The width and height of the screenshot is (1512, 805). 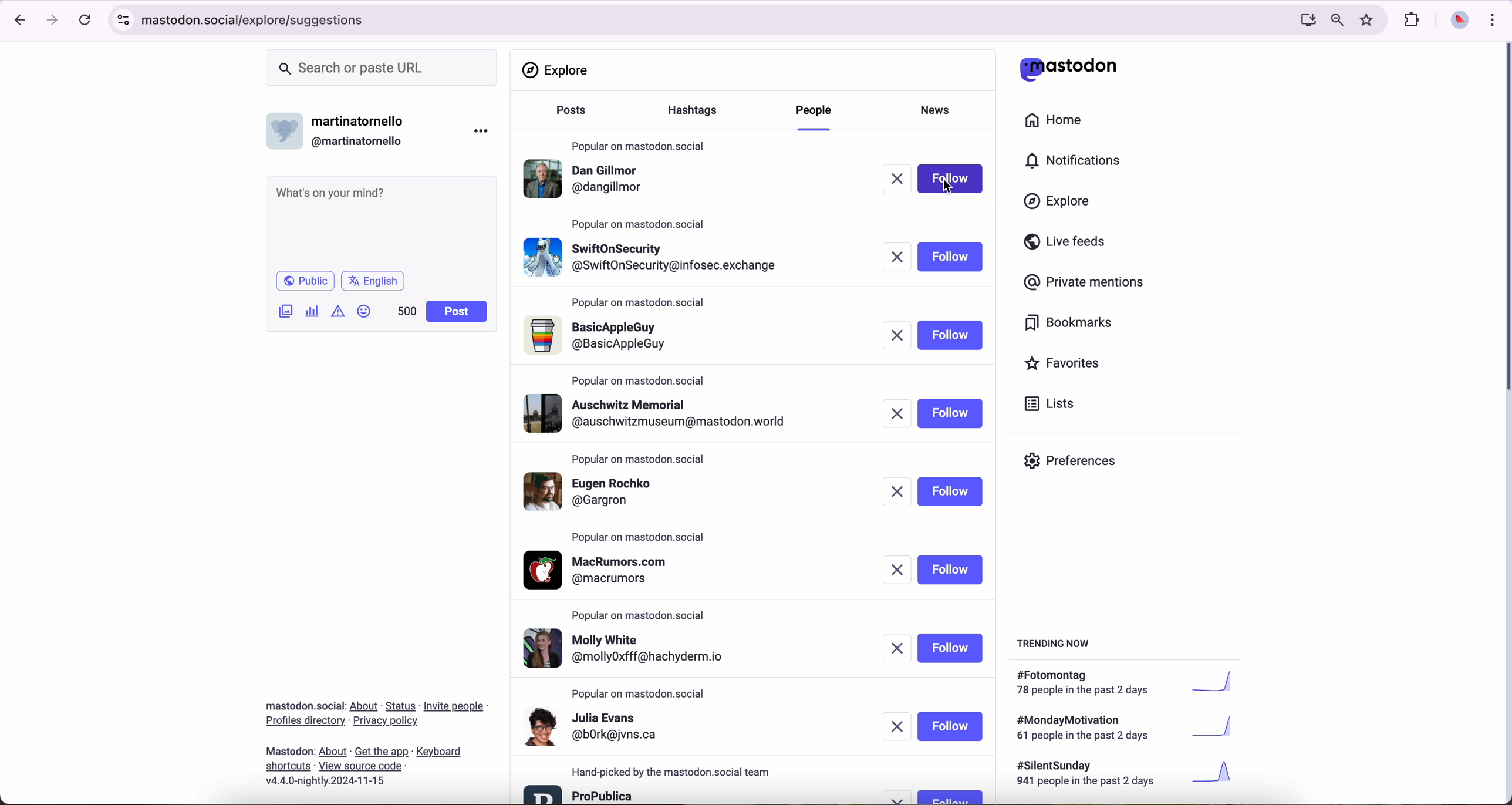 What do you see at coordinates (1069, 325) in the screenshot?
I see `bookmarks` at bounding box center [1069, 325].